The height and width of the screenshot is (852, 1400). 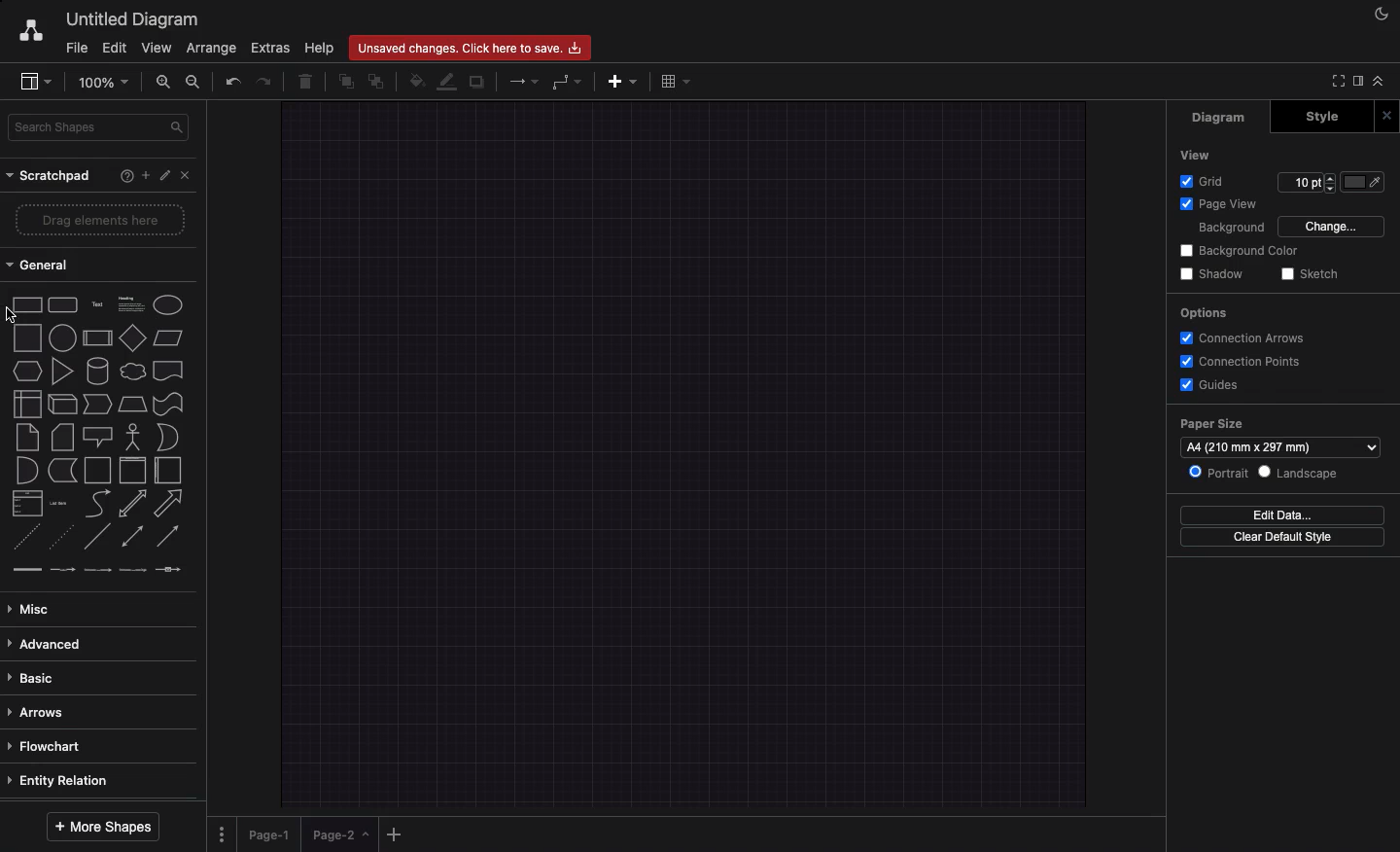 I want to click on Background color, so click(x=1243, y=251).